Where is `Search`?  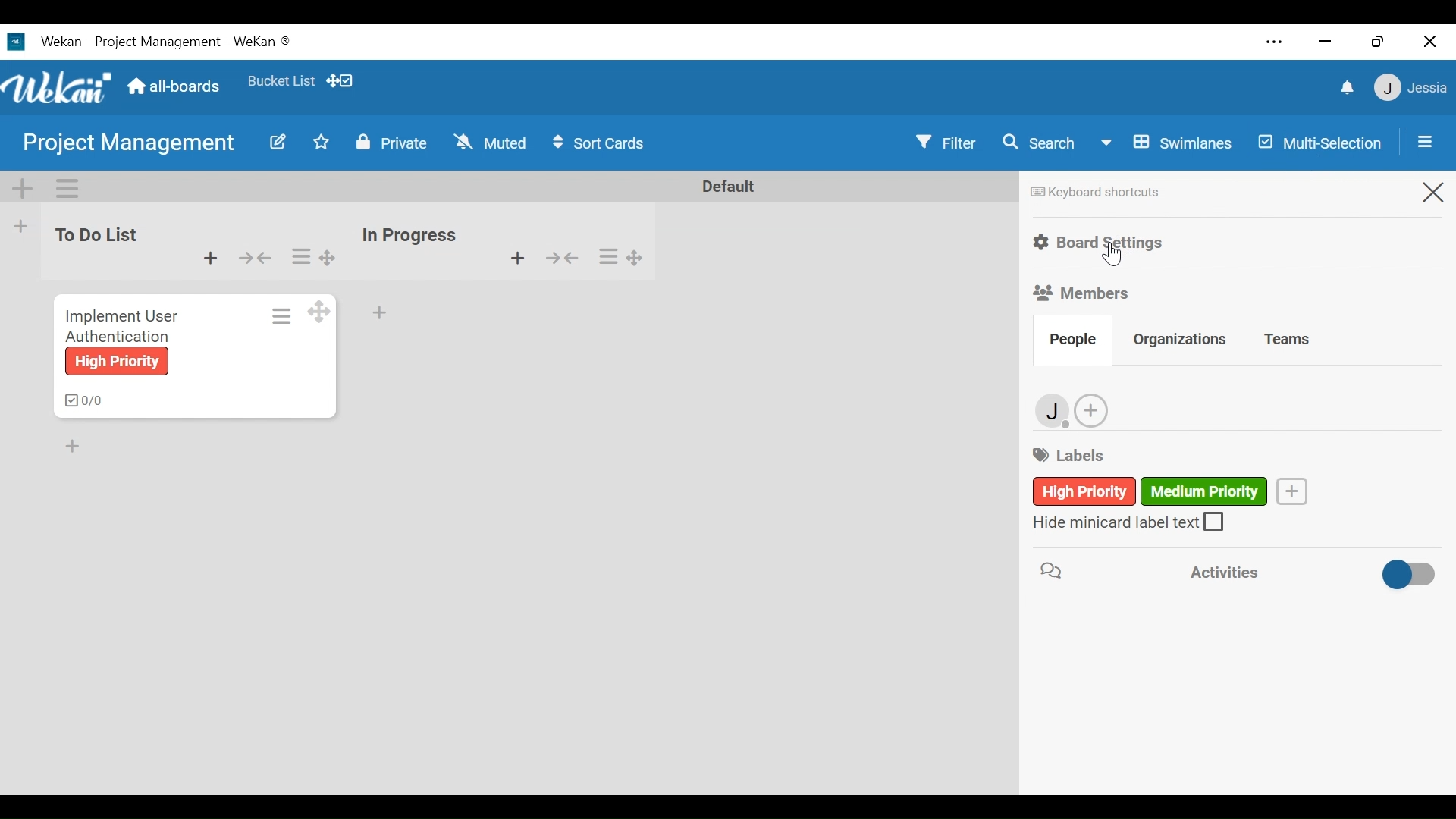 Search is located at coordinates (1038, 141).